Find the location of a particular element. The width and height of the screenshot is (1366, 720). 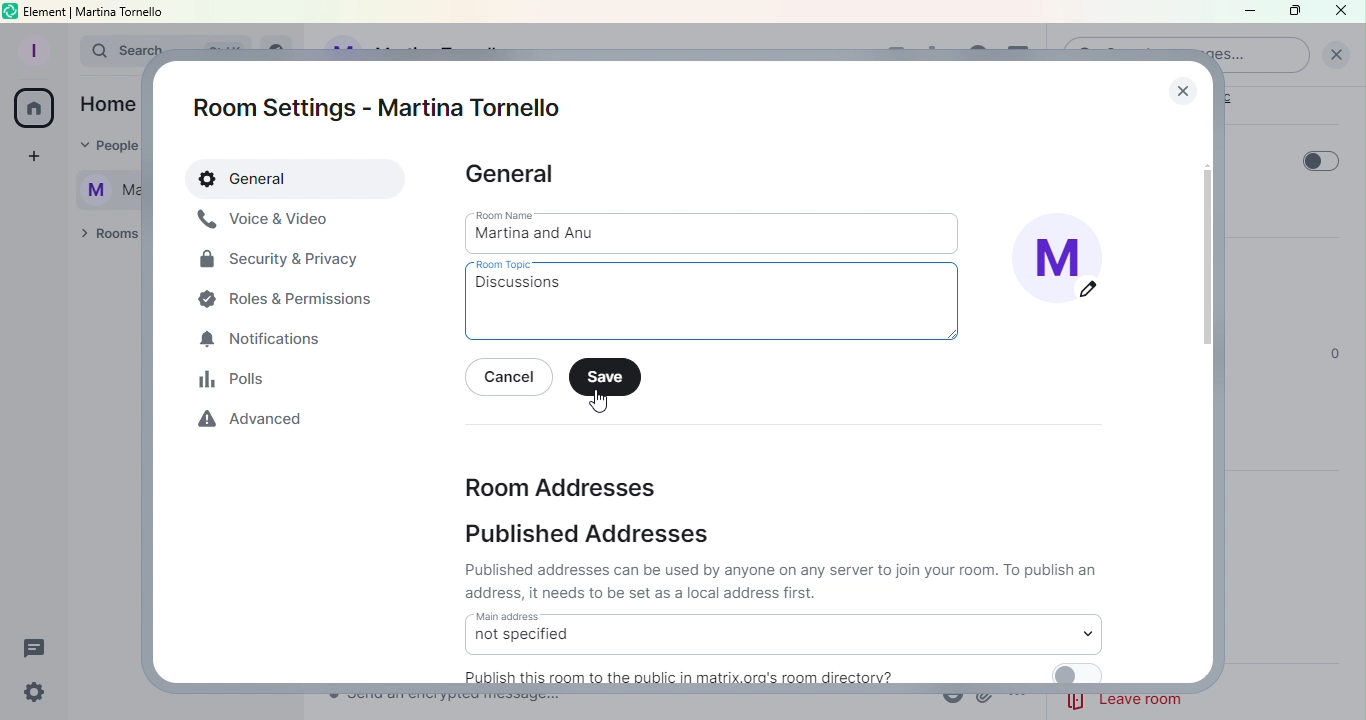

Scroll bar is located at coordinates (1209, 390).